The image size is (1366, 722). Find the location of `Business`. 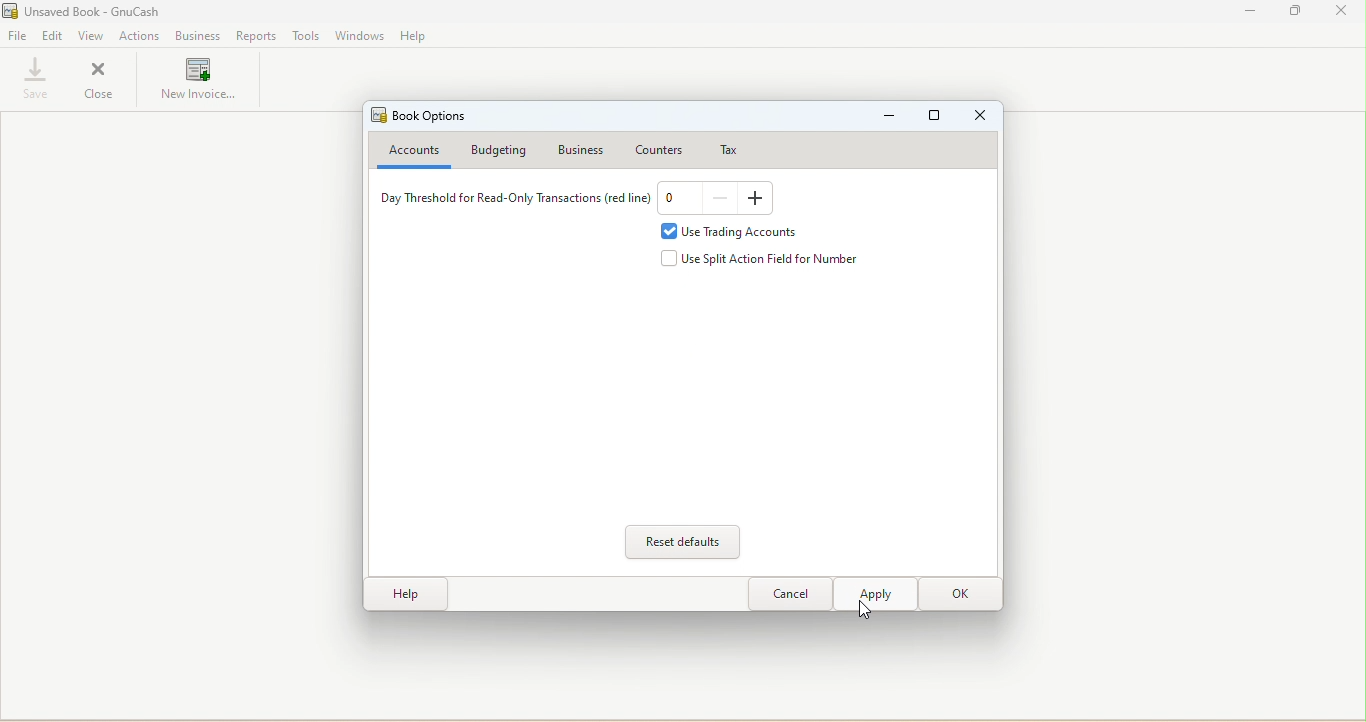

Business is located at coordinates (585, 149).